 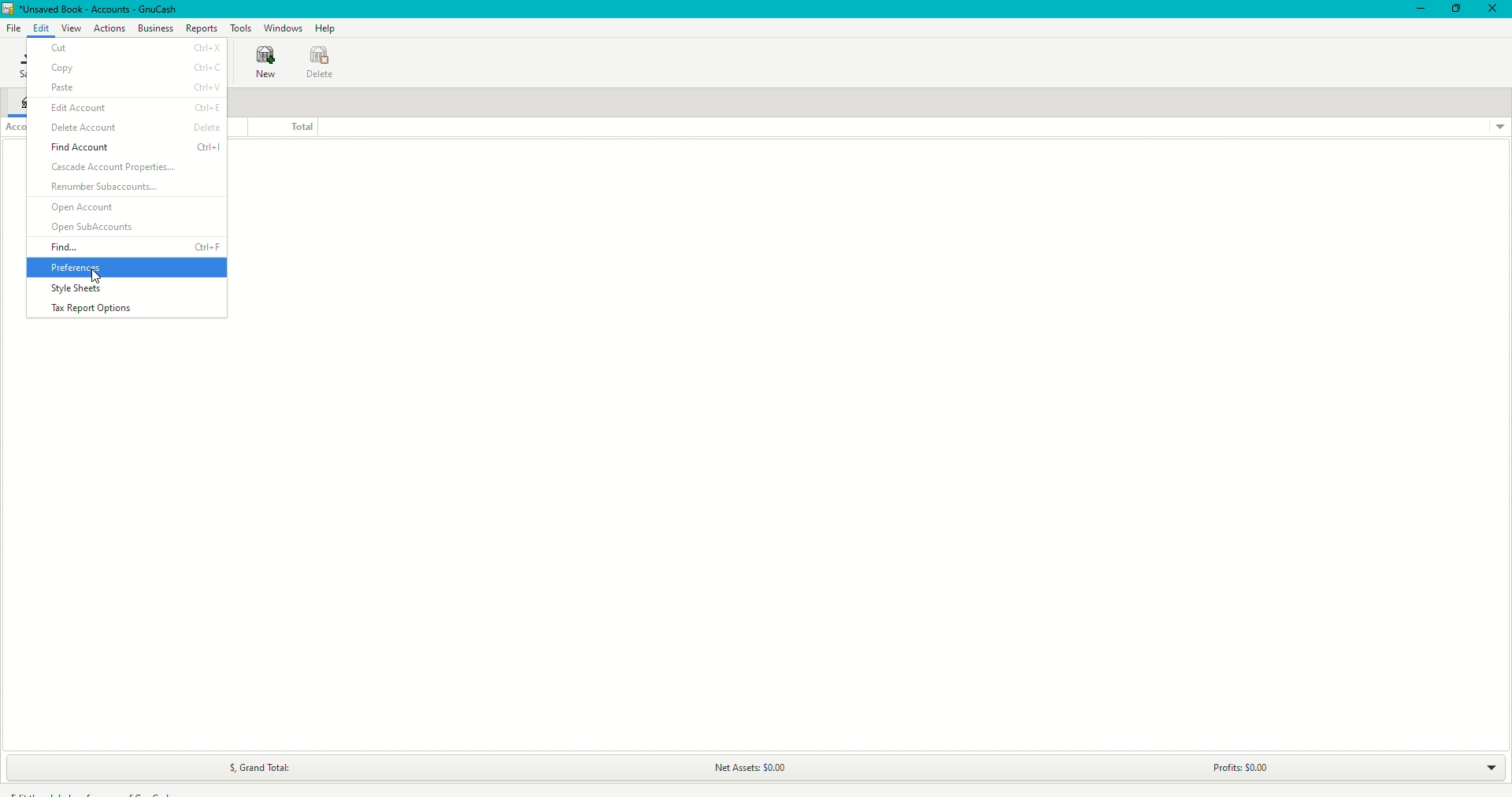 I want to click on Paste, so click(x=134, y=87).